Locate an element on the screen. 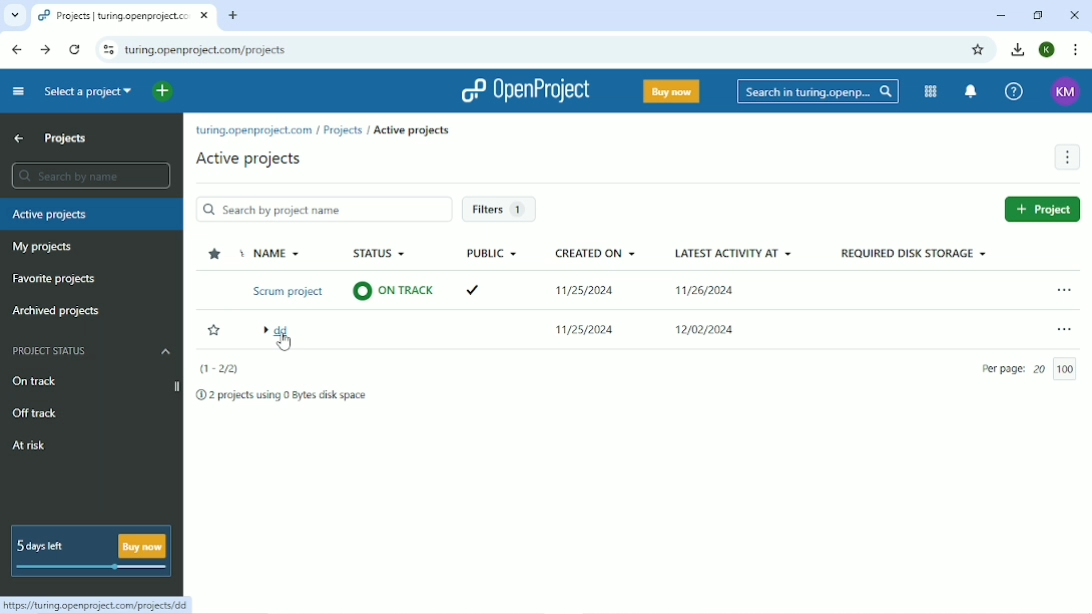  Name is located at coordinates (291, 296).